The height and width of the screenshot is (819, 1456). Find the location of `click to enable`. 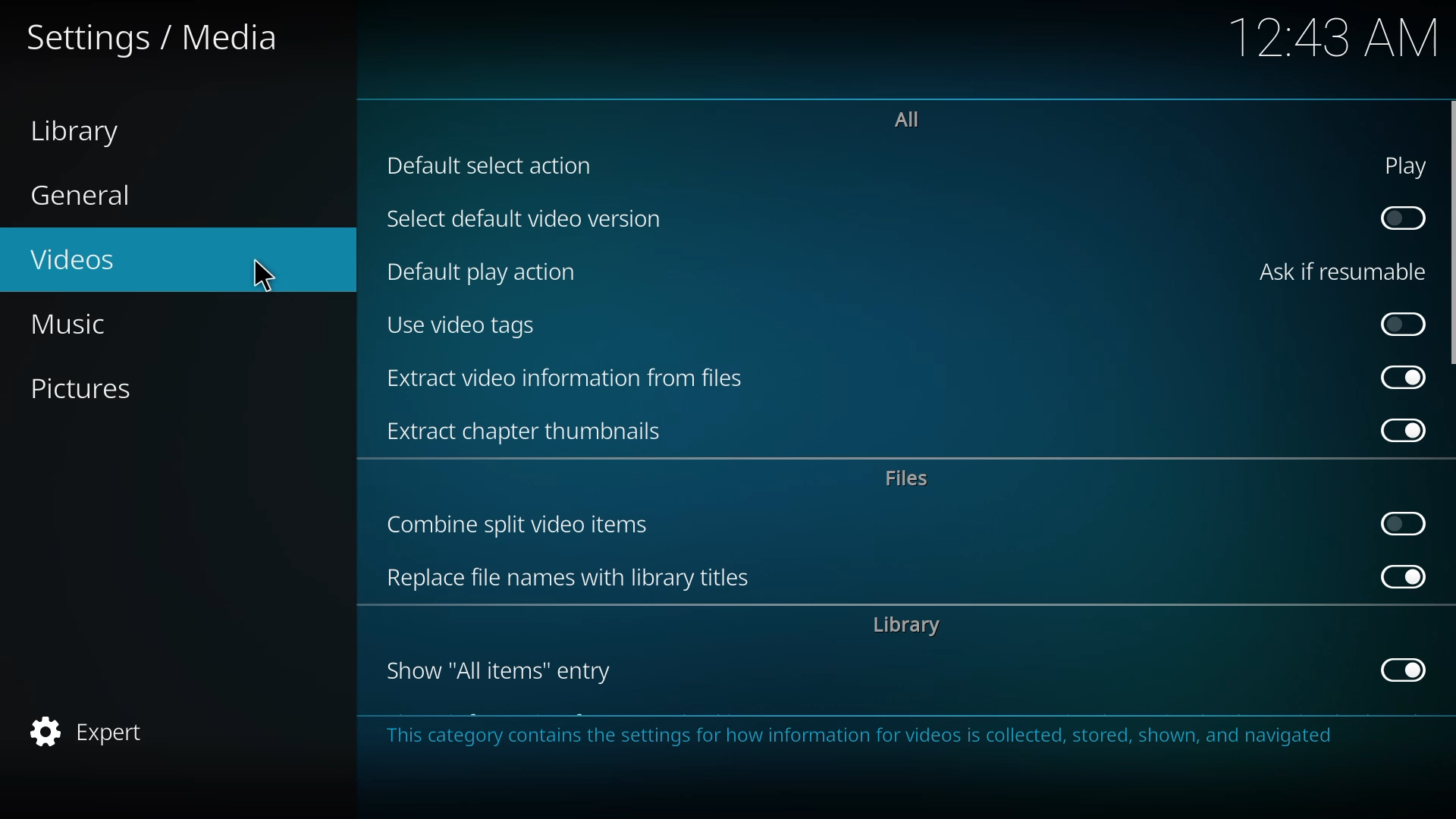

click to enable is located at coordinates (1400, 217).